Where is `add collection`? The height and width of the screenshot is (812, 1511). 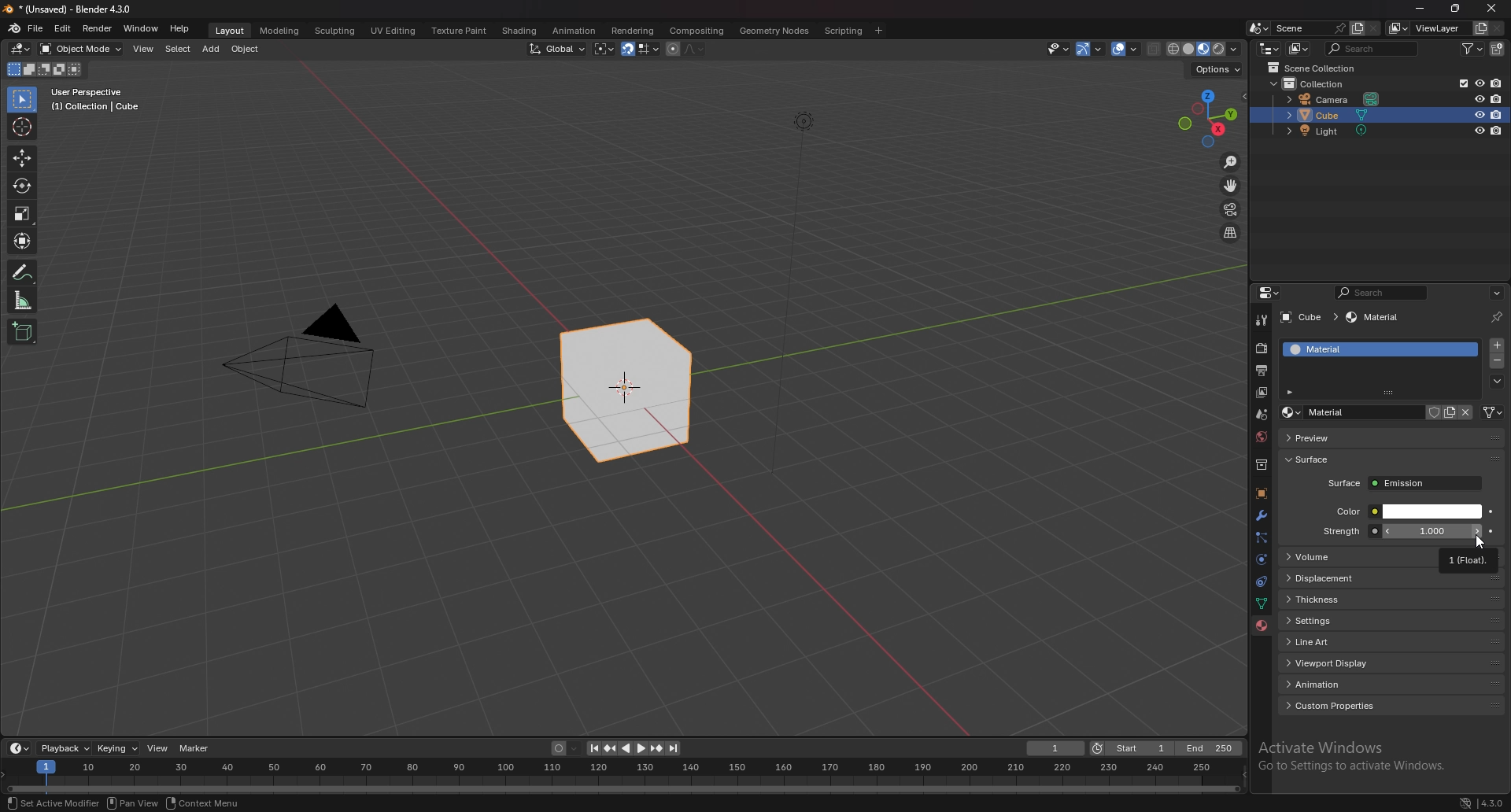
add collection is located at coordinates (1498, 49).